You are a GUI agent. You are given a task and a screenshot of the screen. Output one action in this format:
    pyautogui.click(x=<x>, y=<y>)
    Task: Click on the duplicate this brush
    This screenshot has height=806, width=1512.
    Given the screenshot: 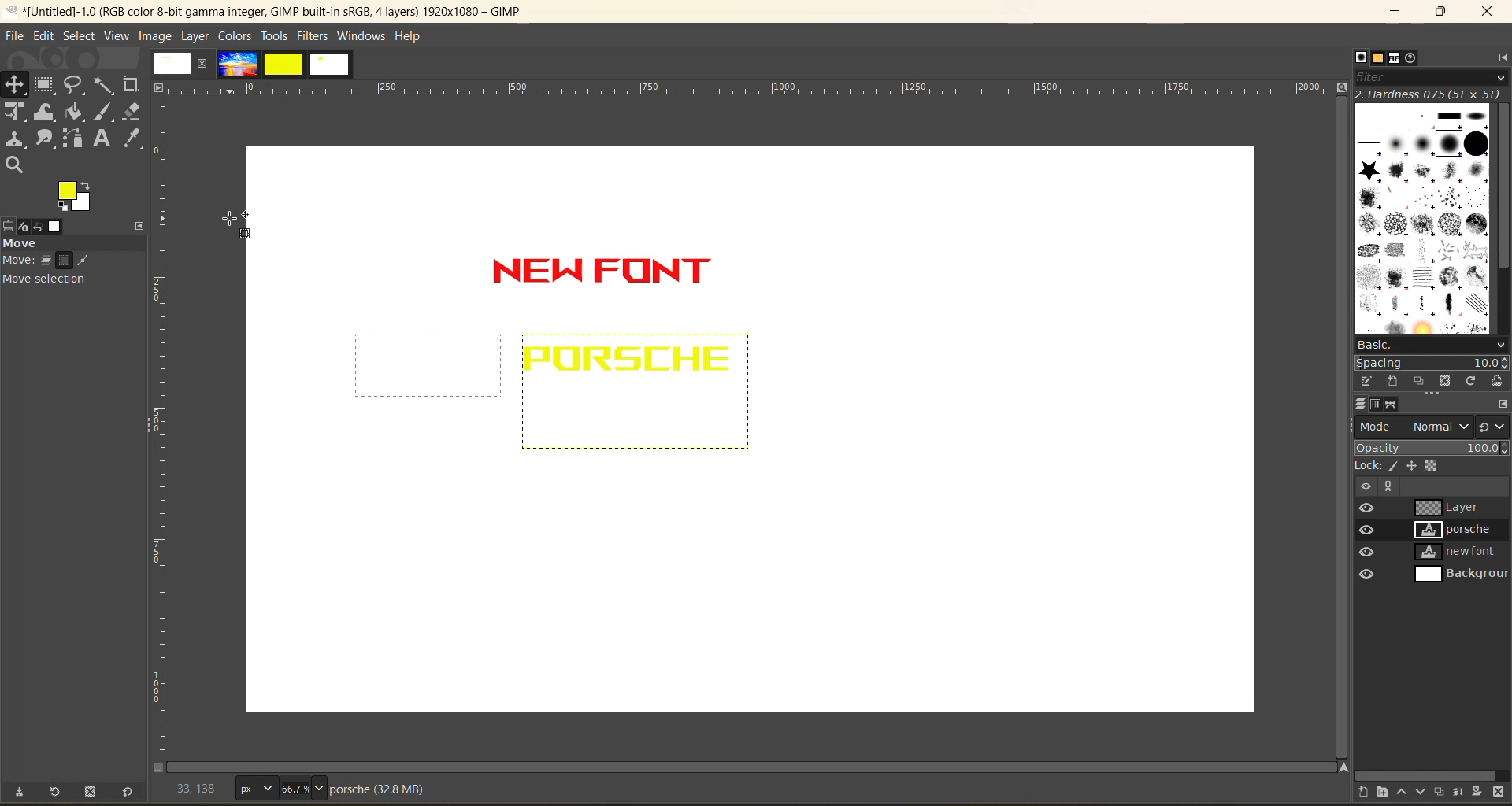 What is the action you would take?
    pyautogui.click(x=1410, y=380)
    